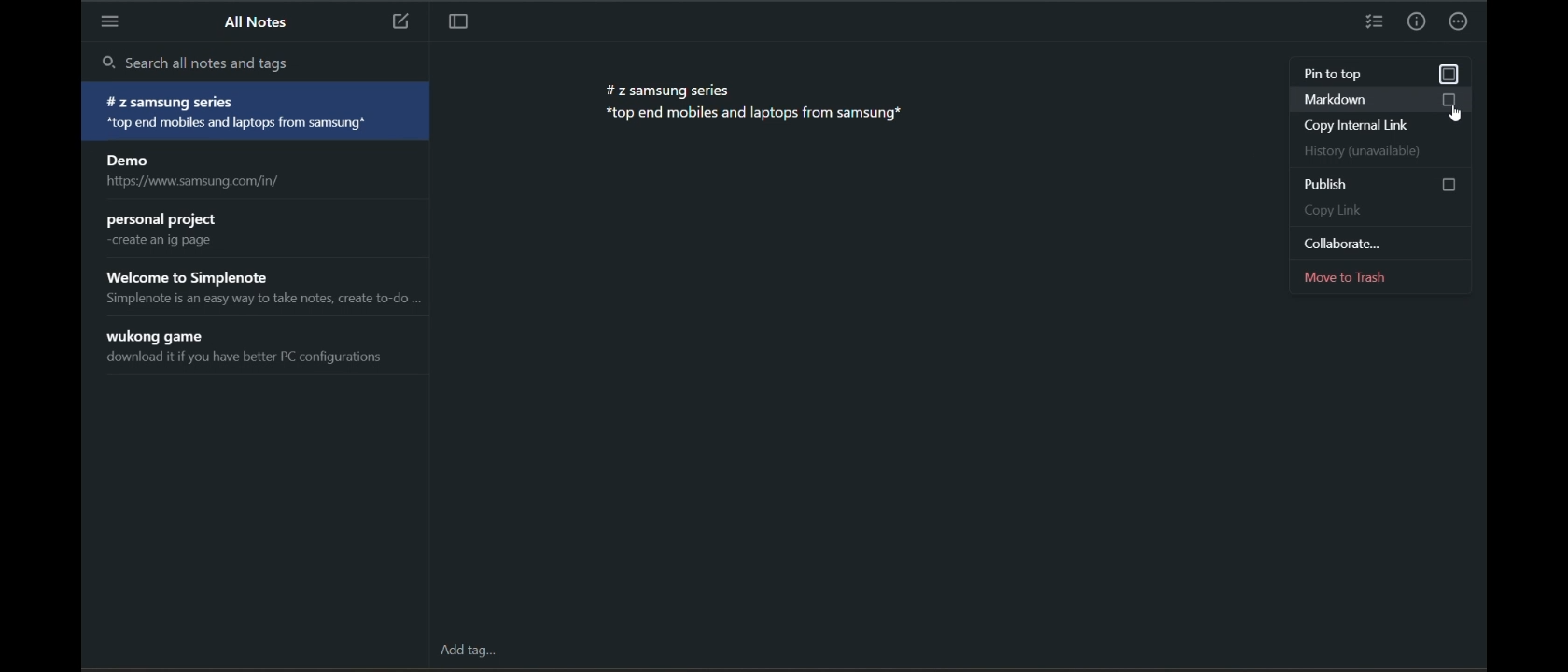 This screenshot has width=1568, height=672. I want to click on #z samsung series *top end mobiles and laptops from samsung*, so click(758, 107).